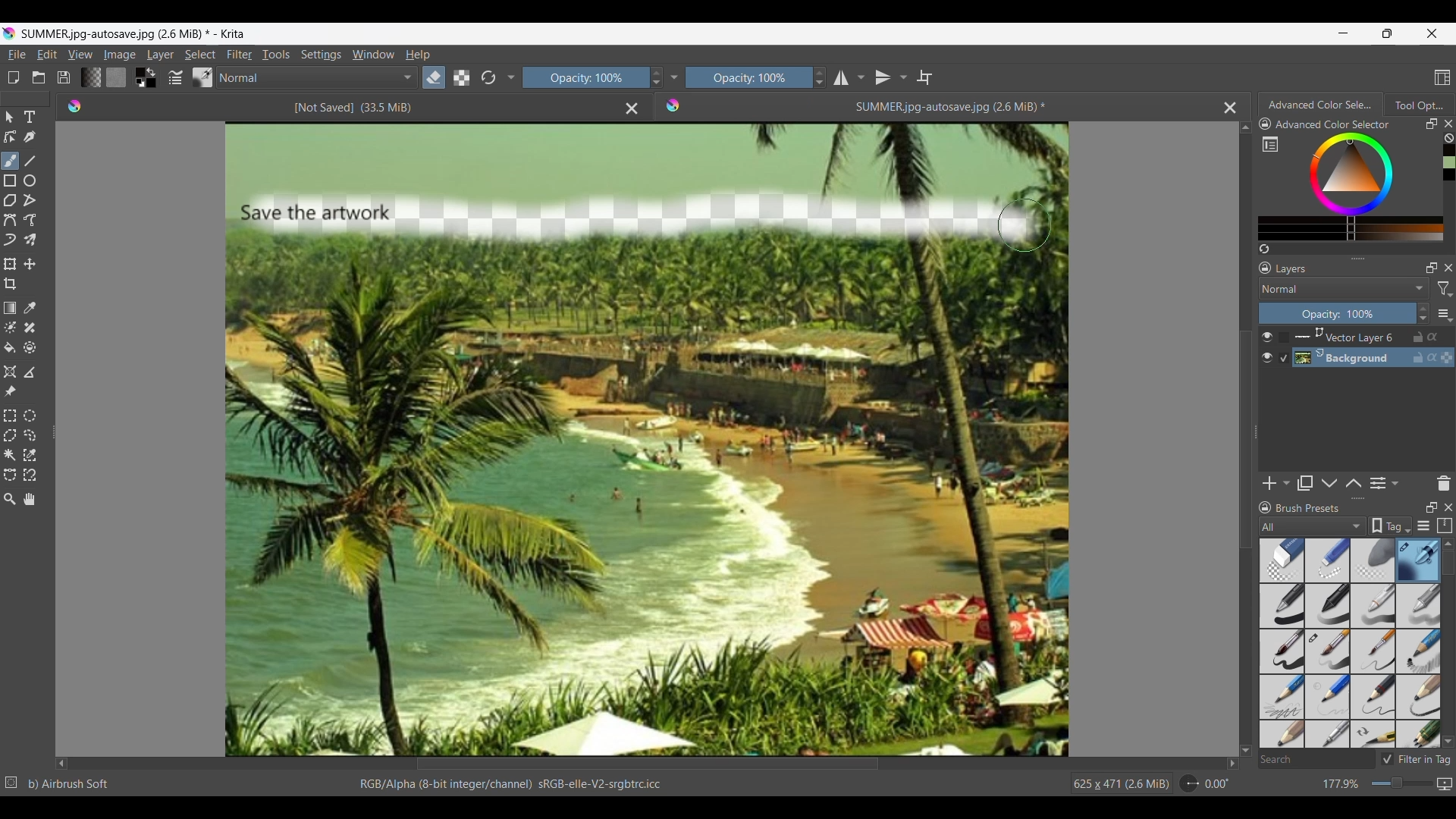  I want to click on Ellipse tool, so click(30, 180).